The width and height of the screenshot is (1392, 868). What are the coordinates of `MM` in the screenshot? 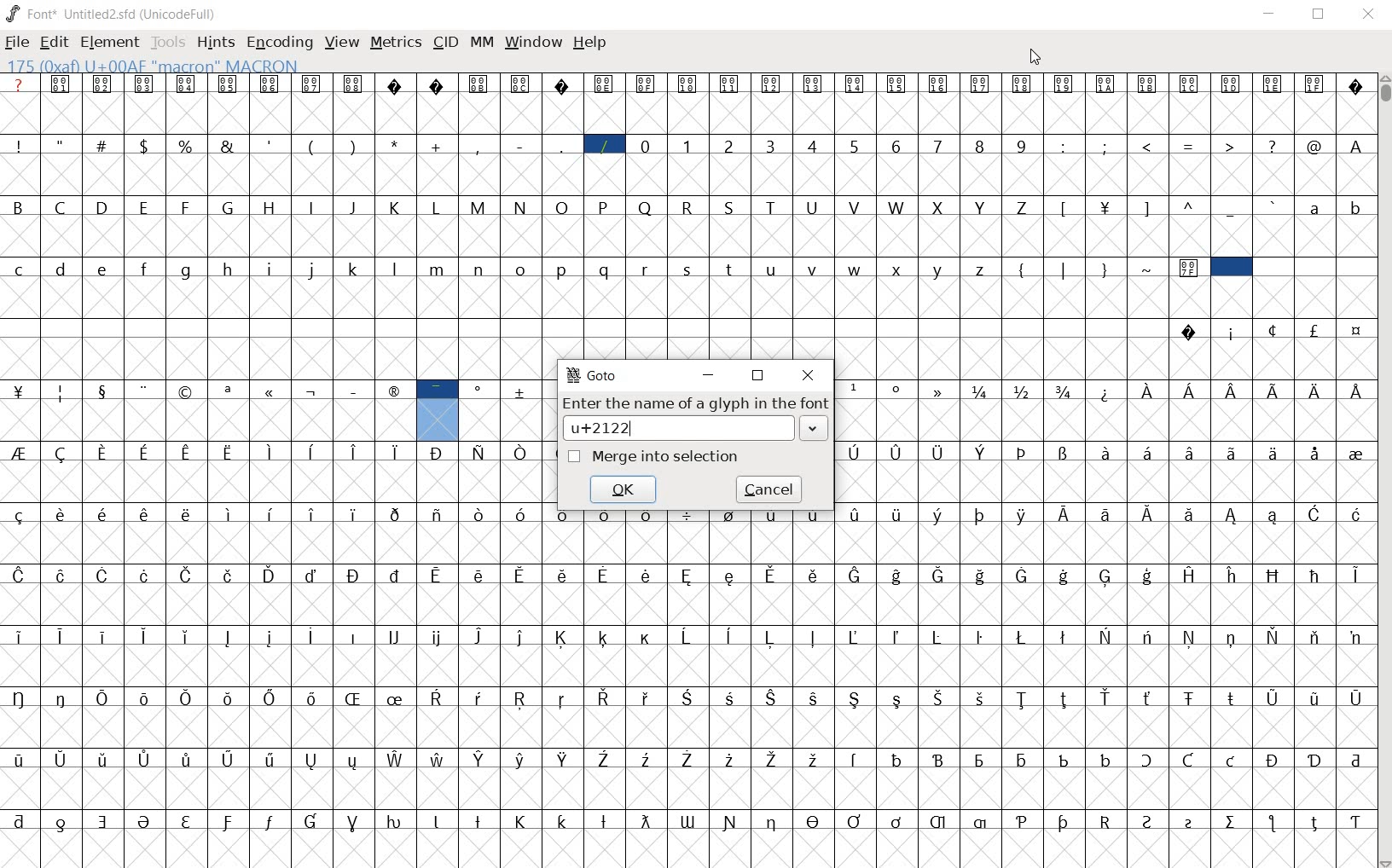 It's located at (481, 44).